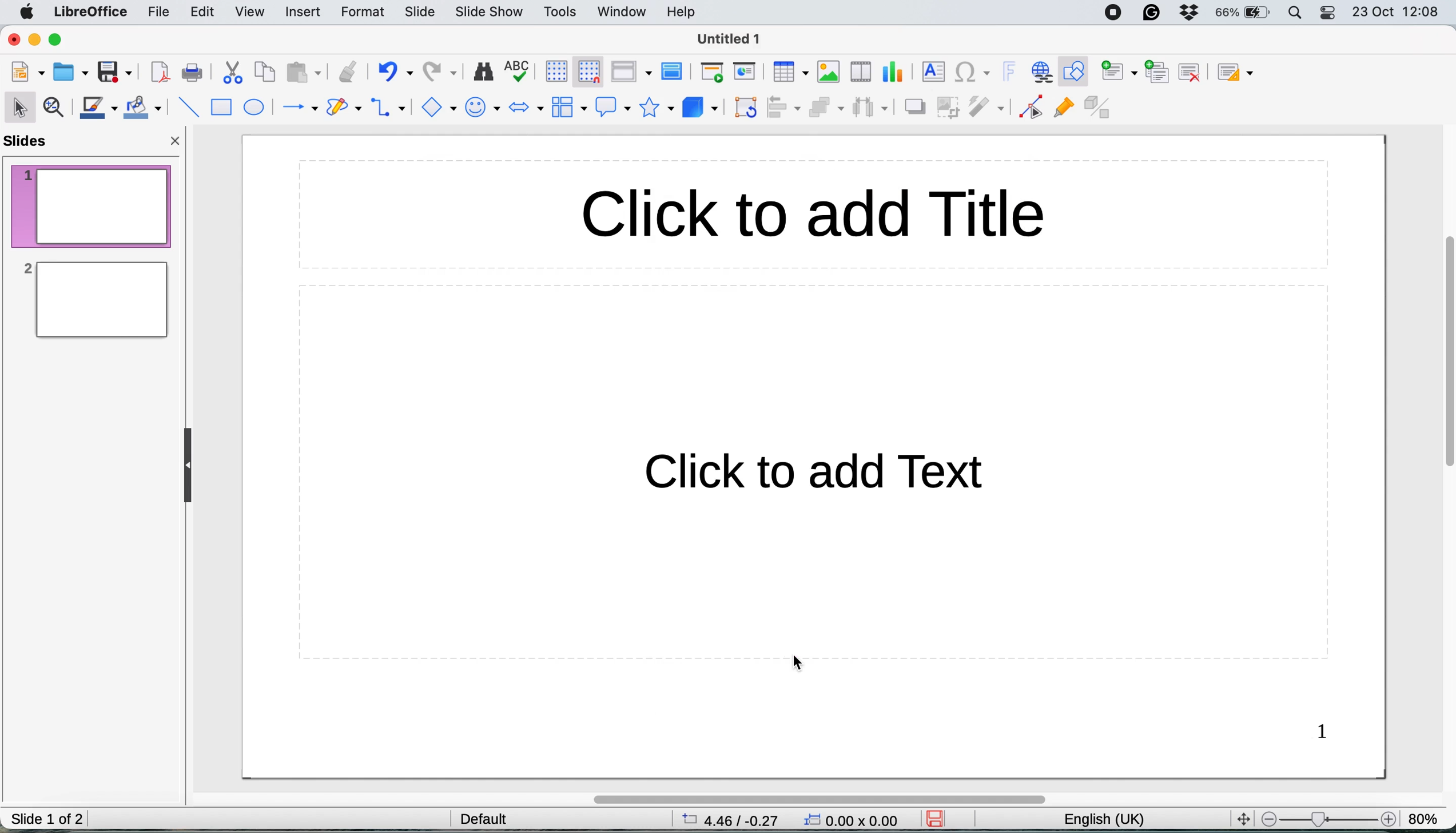 This screenshot has width=1456, height=833. What do you see at coordinates (30, 142) in the screenshot?
I see `slides` at bounding box center [30, 142].